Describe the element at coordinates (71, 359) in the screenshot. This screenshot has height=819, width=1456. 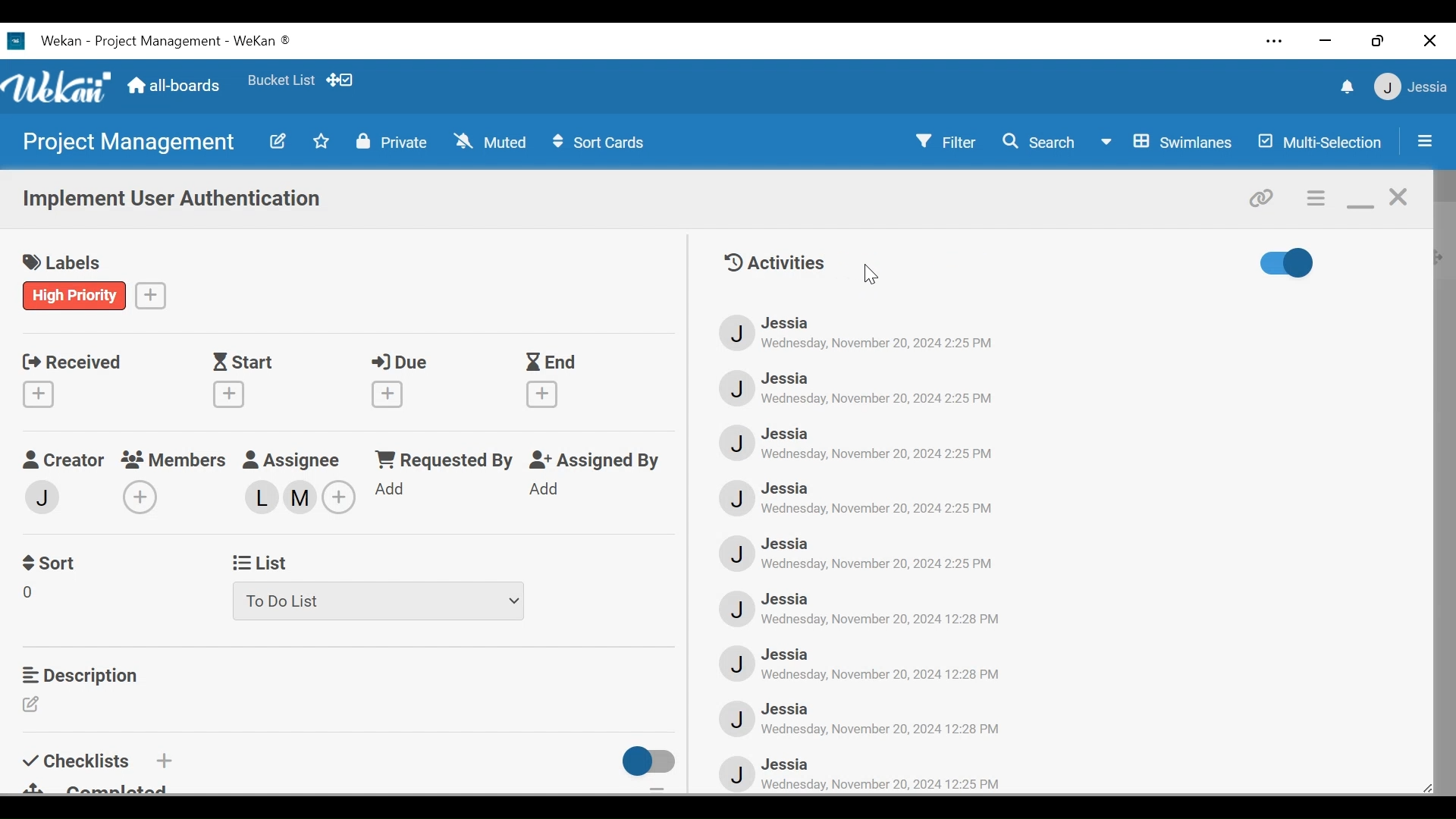
I see `Received Date` at that location.